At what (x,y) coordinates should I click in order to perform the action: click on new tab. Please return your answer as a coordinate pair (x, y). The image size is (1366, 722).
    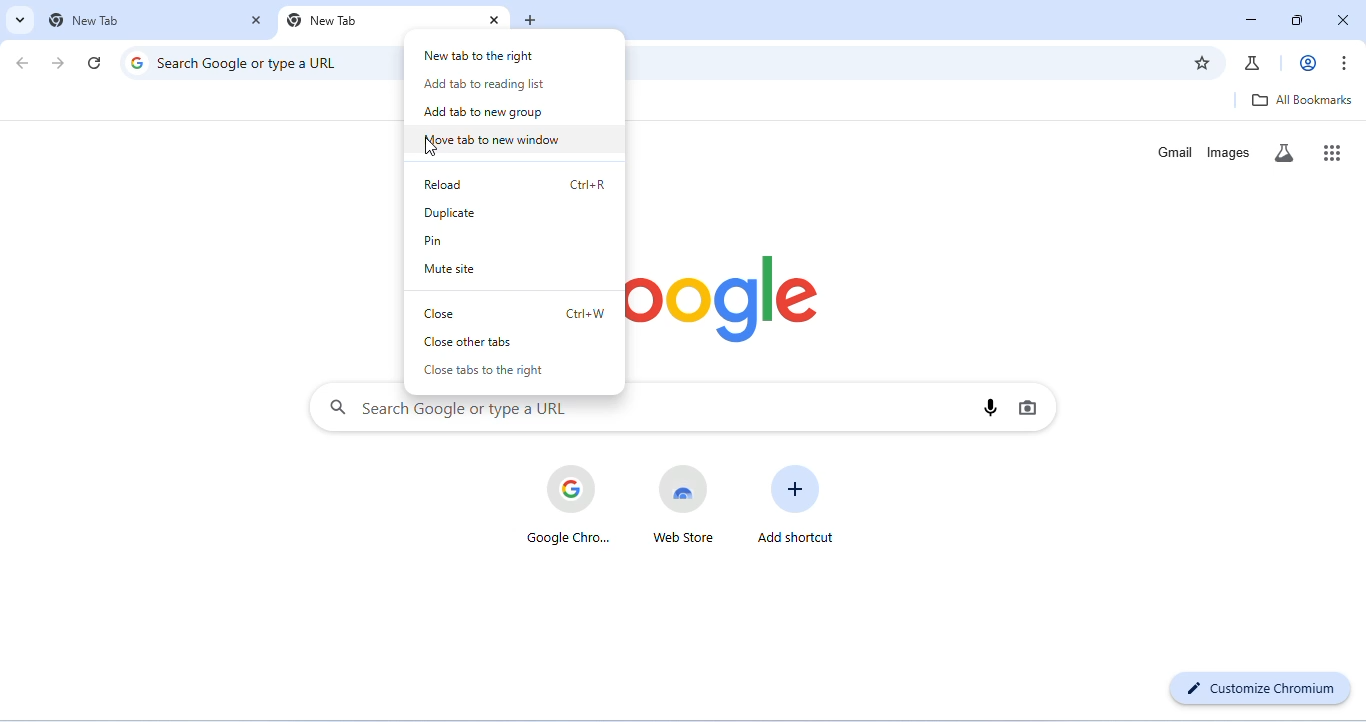
    Looking at the image, I should click on (97, 18).